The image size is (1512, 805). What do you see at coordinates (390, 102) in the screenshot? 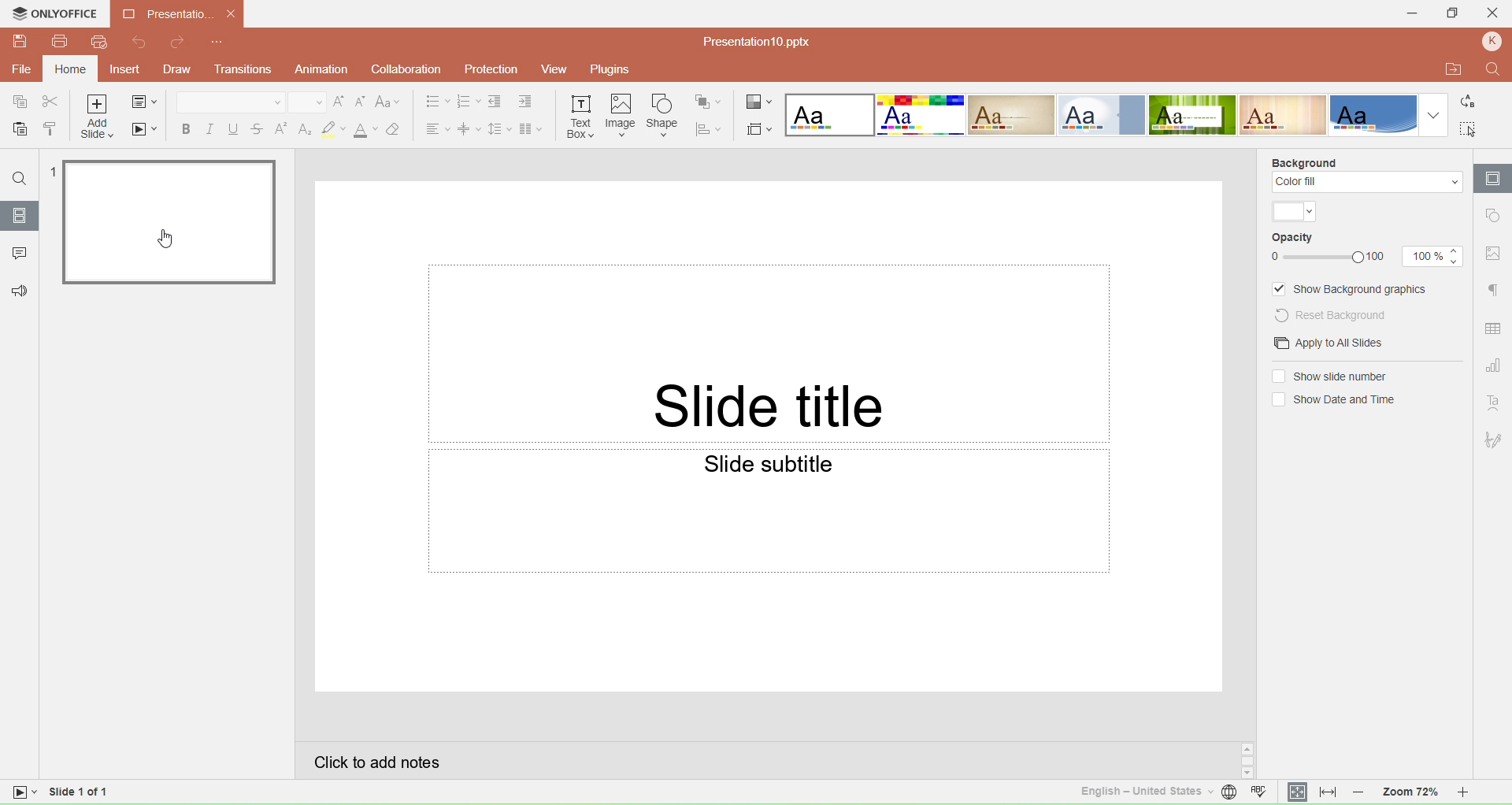
I see `Change case` at bounding box center [390, 102].